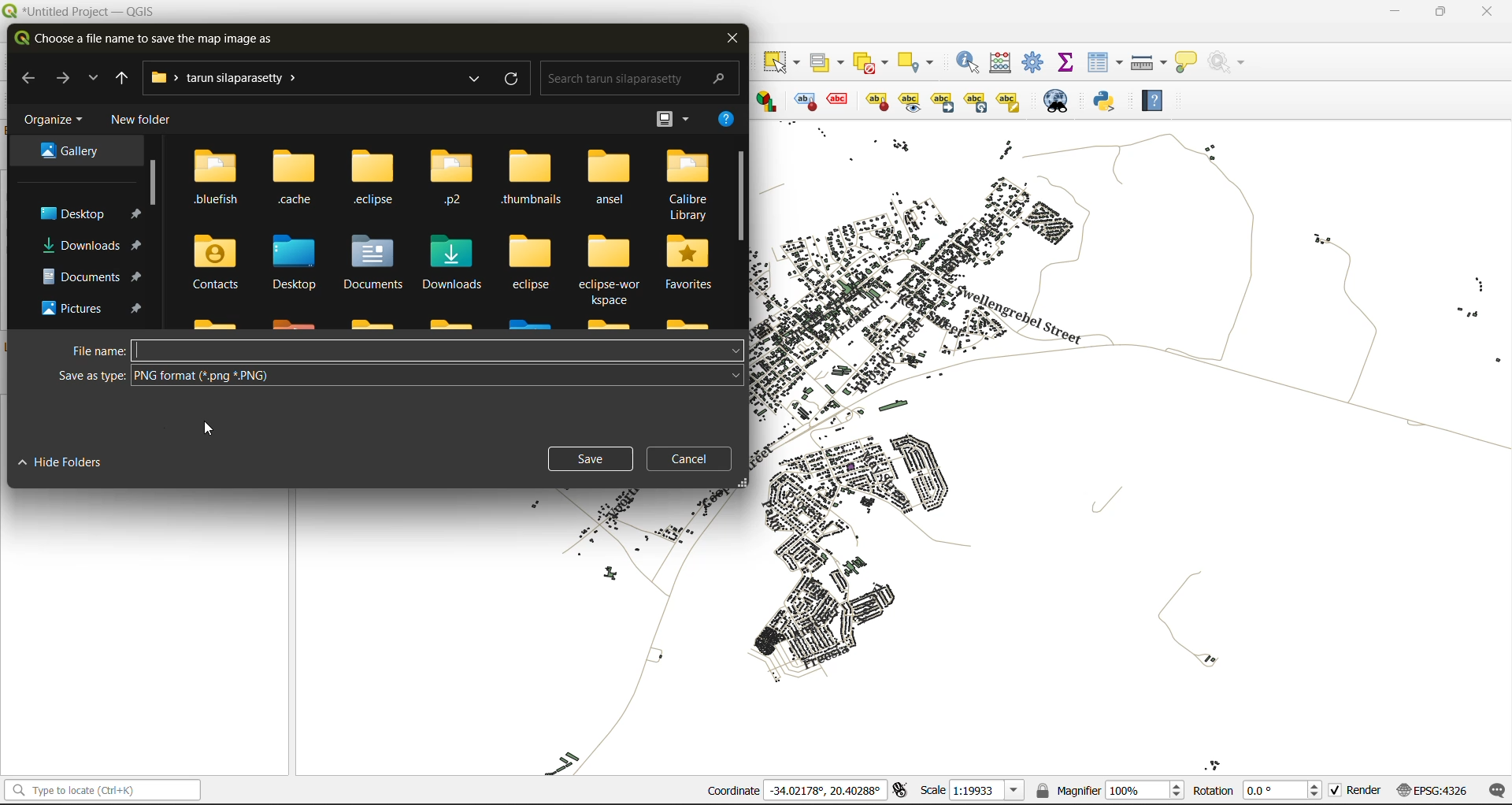 Image resolution: width=1512 pixels, height=805 pixels. I want to click on cancel, so click(690, 459).